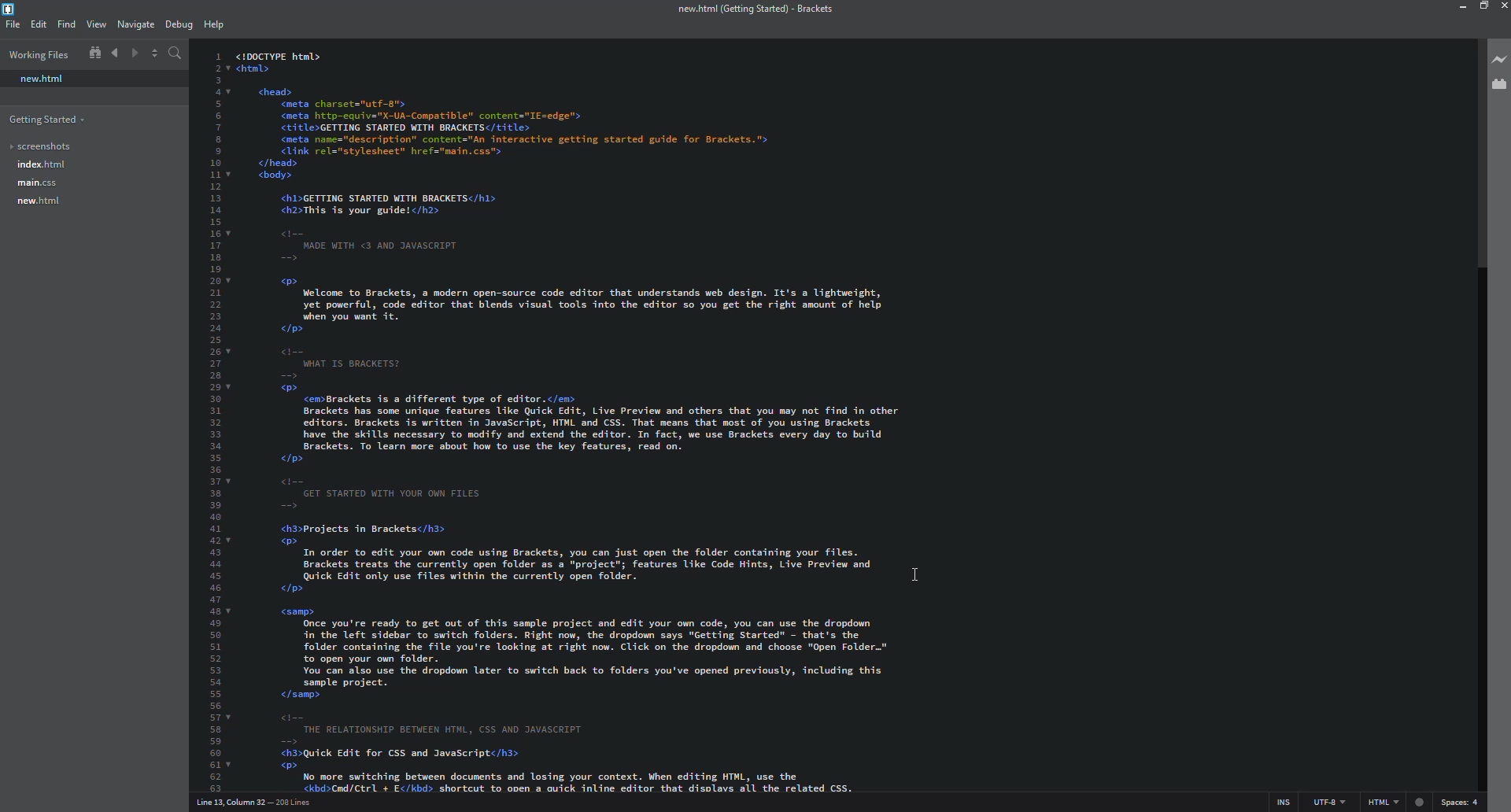  What do you see at coordinates (1483, 146) in the screenshot?
I see `scroll bar` at bounding box center [1483, 146].